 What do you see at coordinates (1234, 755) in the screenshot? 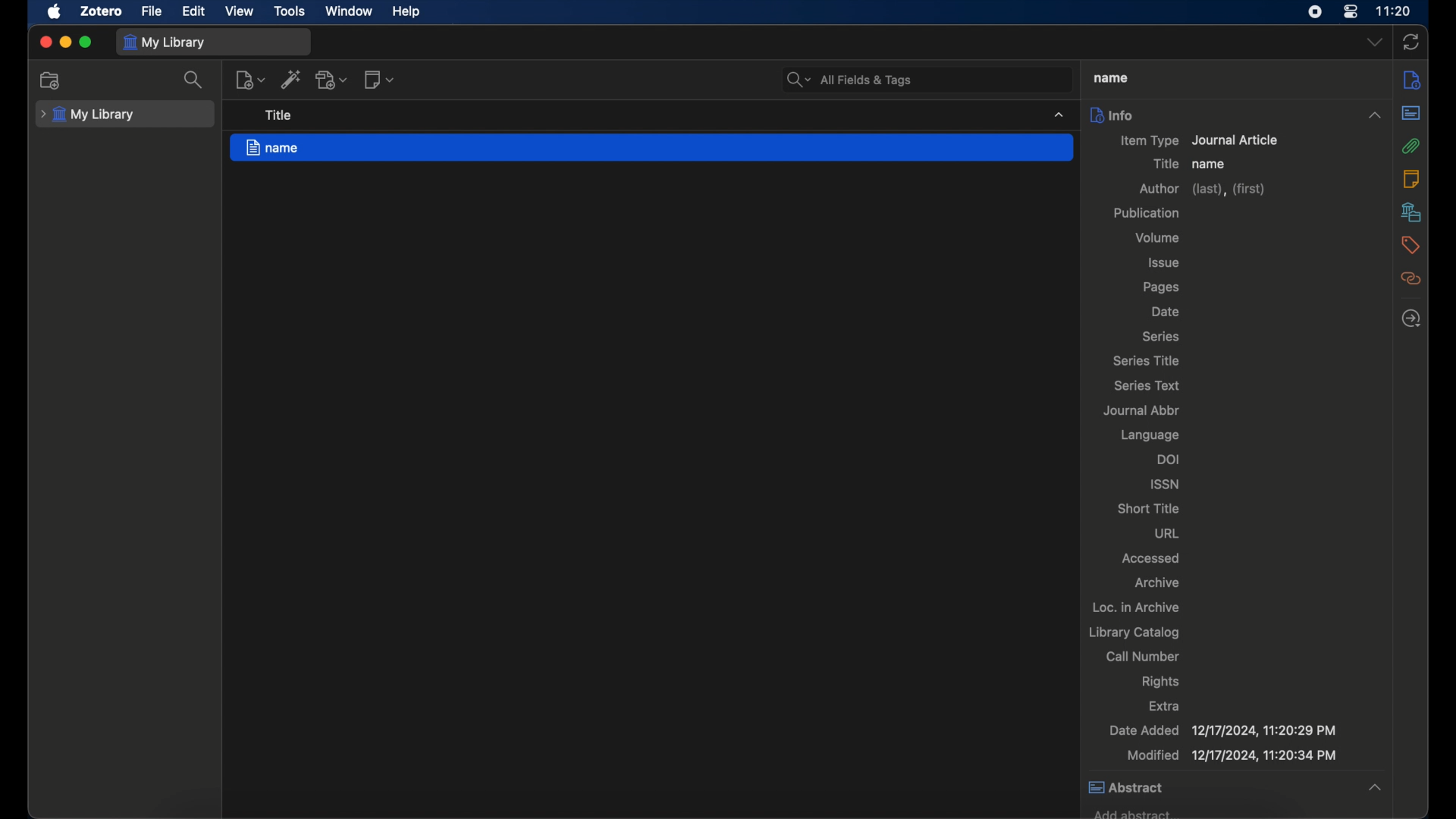
I see `modified` at bounding box center [1234, 755].